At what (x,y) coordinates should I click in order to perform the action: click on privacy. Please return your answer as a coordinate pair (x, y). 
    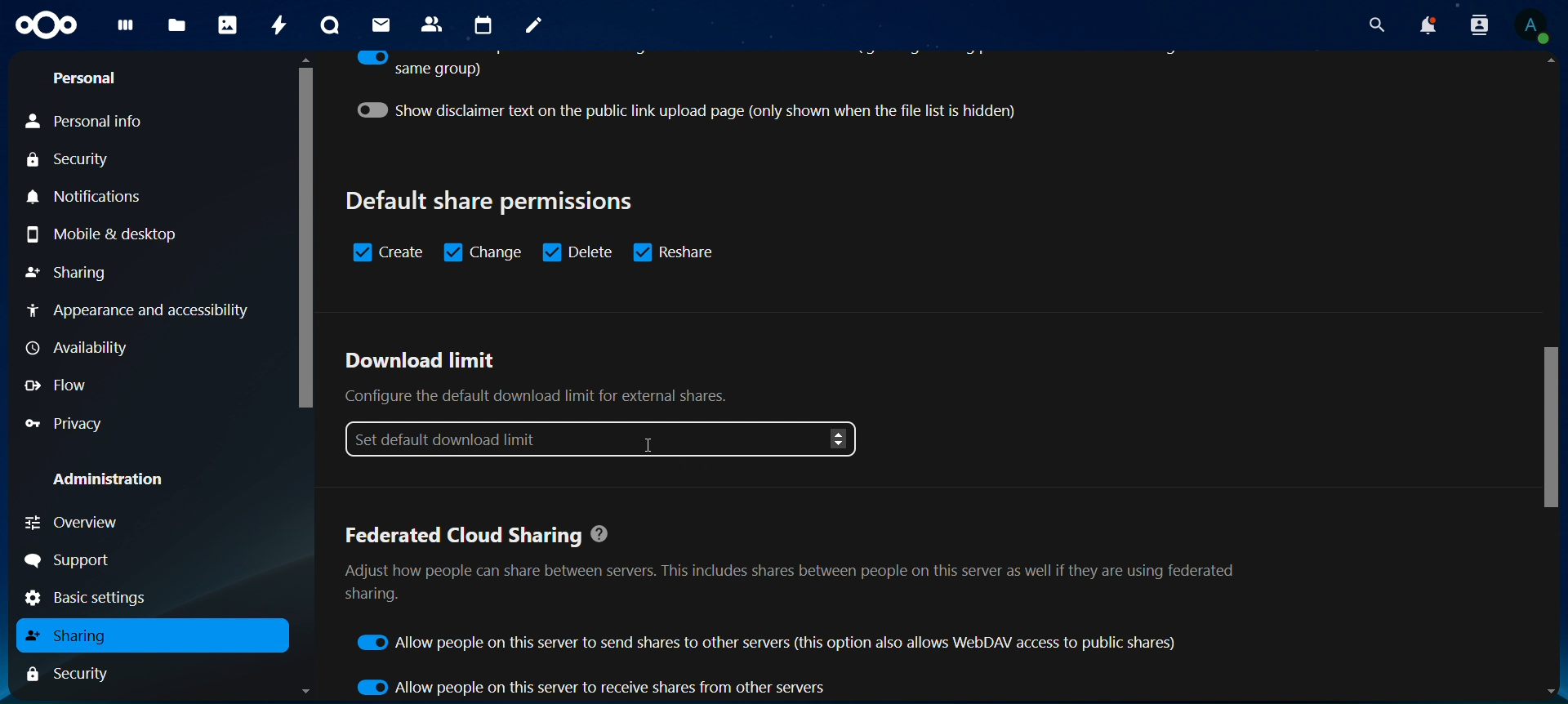
    Looking at the image, I should click on (69, 421).